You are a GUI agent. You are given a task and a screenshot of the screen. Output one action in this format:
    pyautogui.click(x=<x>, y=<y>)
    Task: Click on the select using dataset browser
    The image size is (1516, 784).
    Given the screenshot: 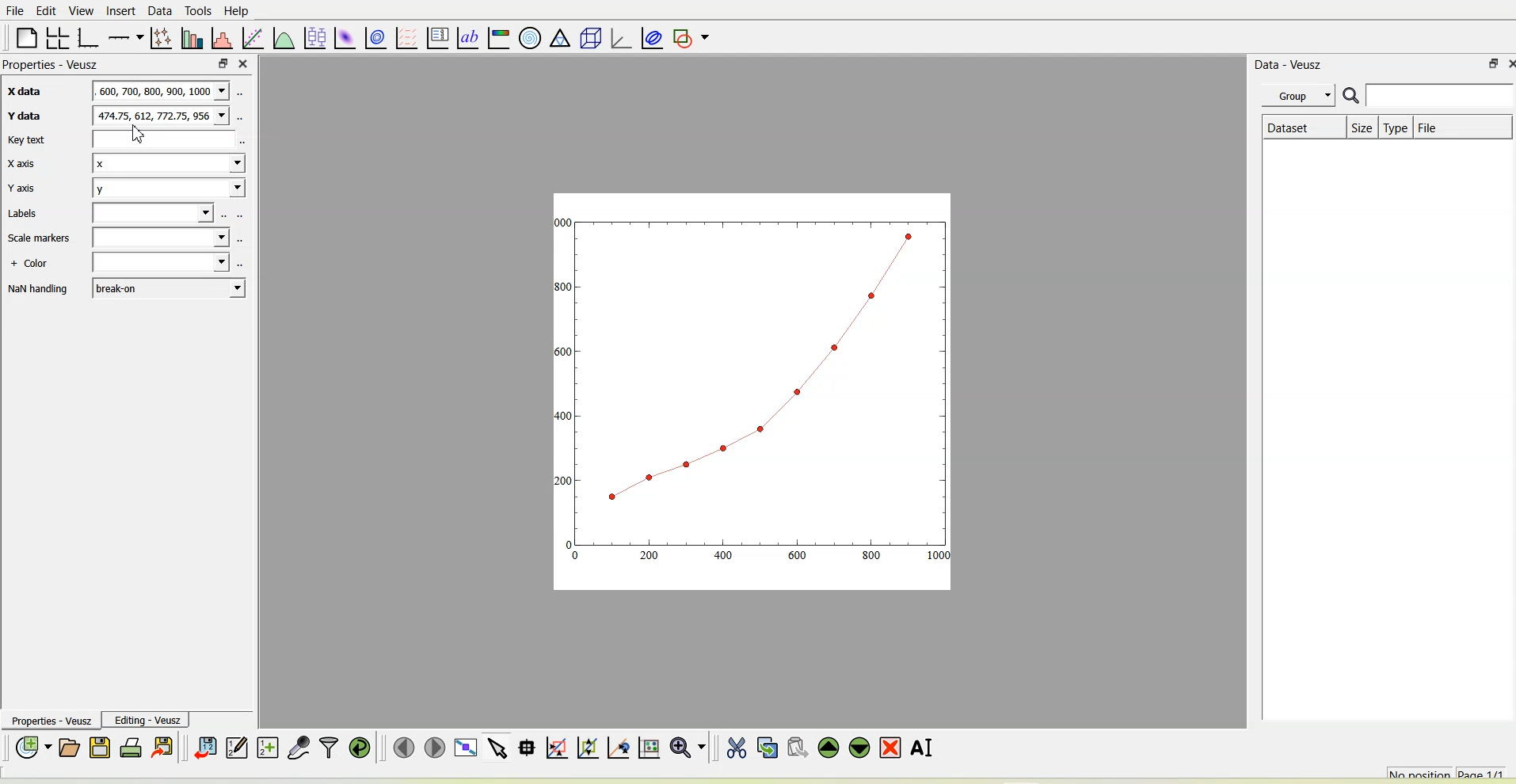 What is the action you would take?
    pyautogui.click(x=242, y=215)
    